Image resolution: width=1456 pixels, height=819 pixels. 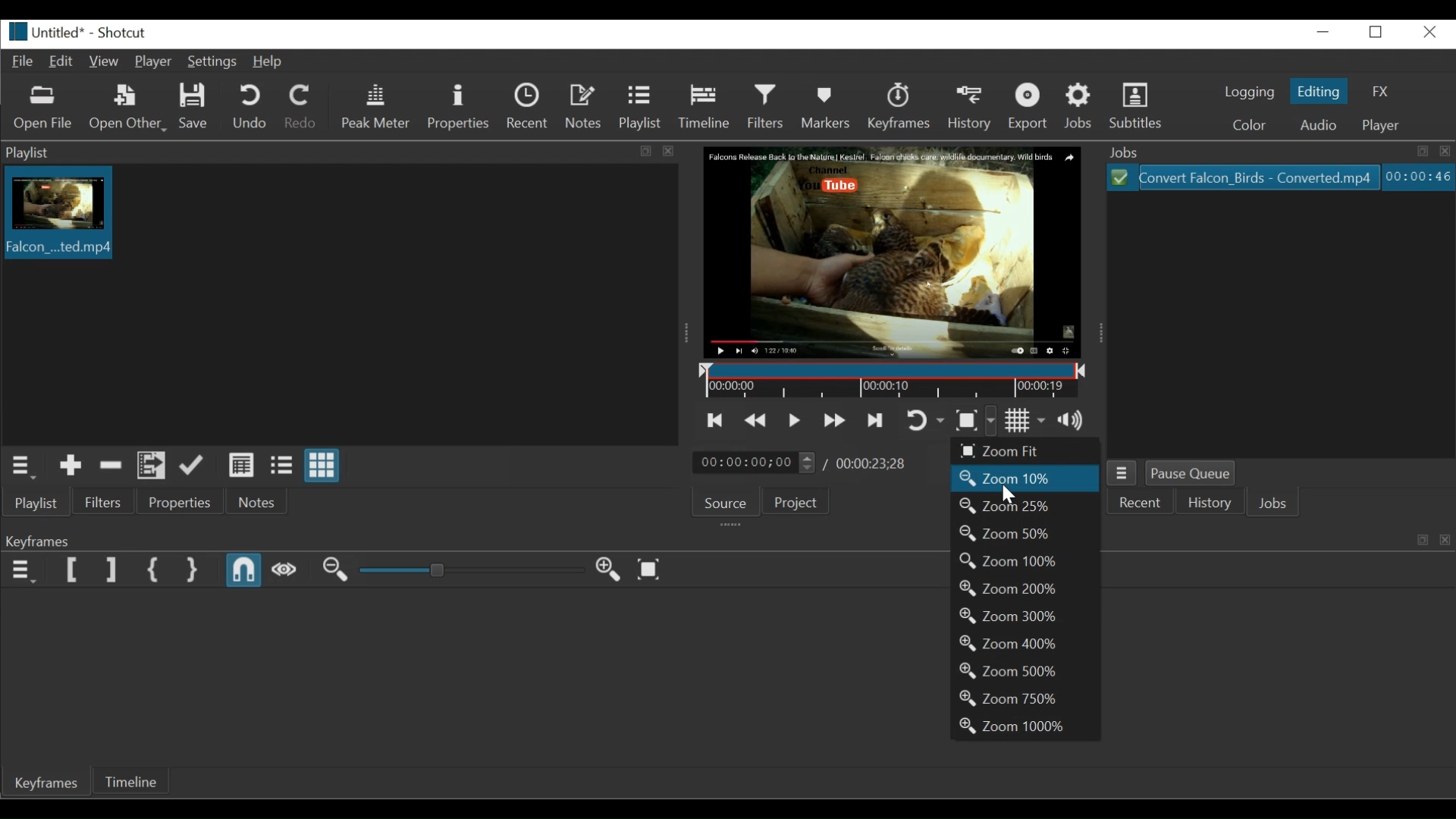 What do you see at coordinates (648, 569) in the screenshot?
I see `Zoom keyframe to fit` at bounding box center [648, 569].